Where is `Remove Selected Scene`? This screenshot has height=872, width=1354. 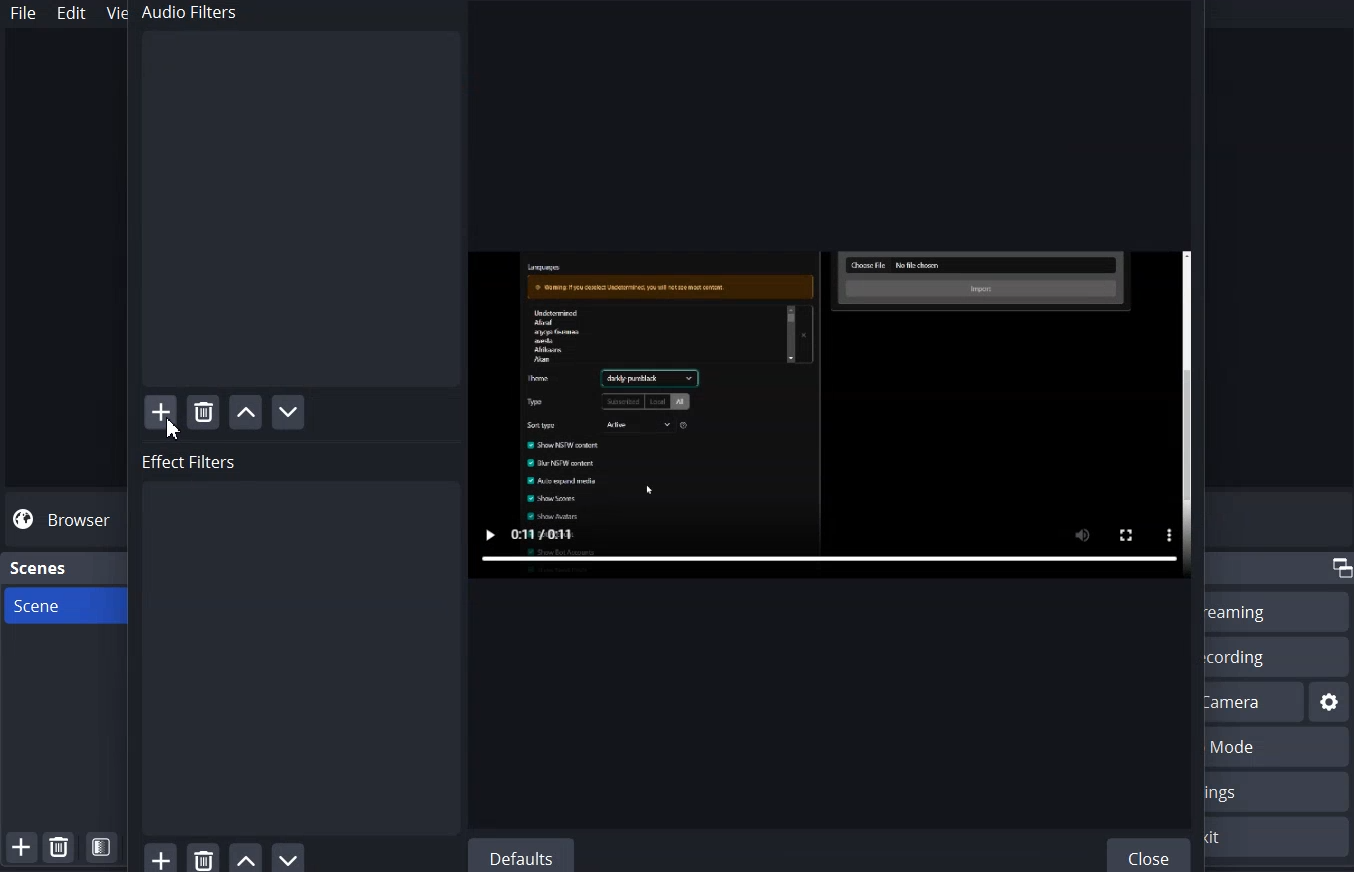 Remove Selected Scene is located at coordinates (58, 846).